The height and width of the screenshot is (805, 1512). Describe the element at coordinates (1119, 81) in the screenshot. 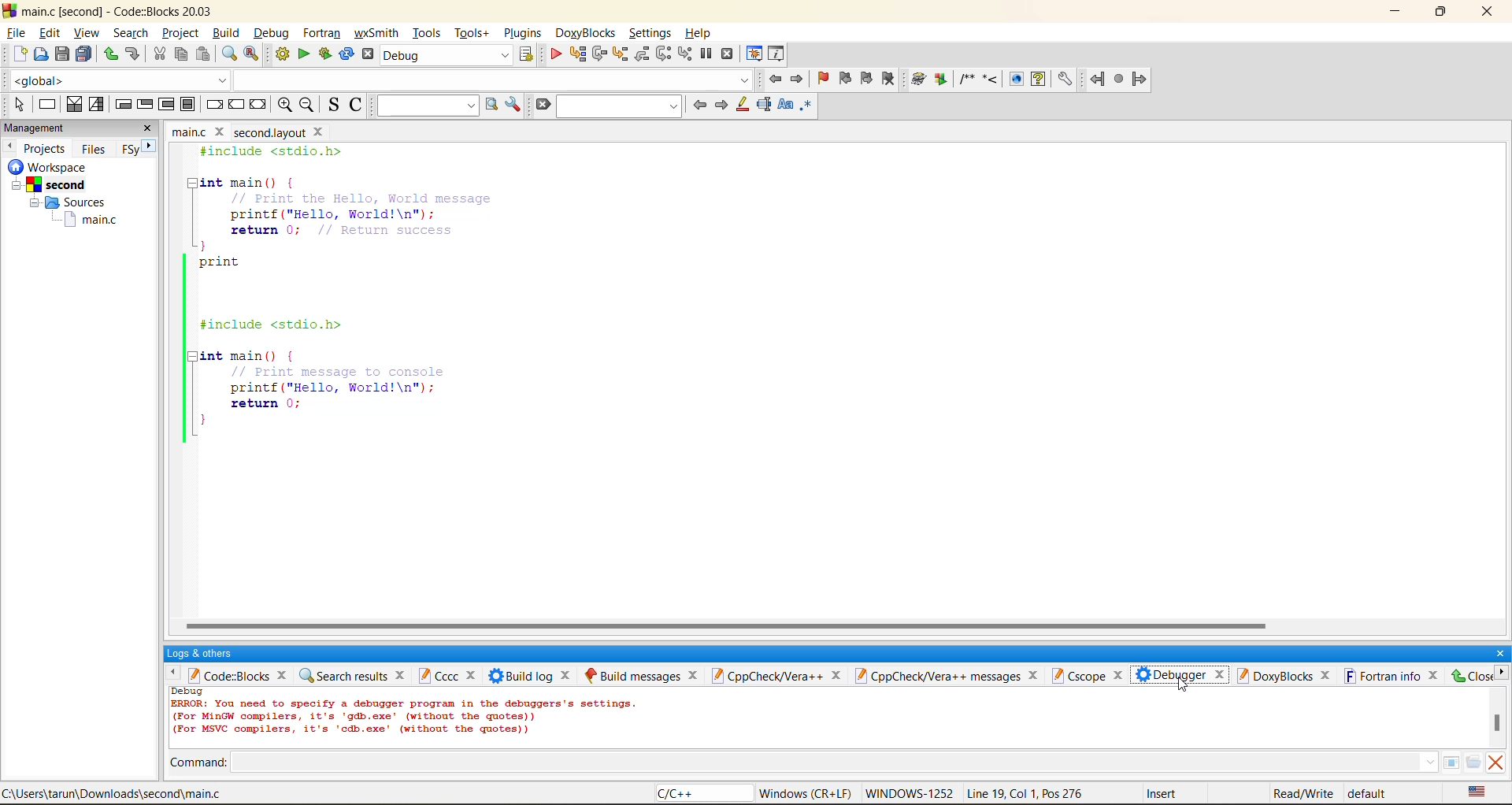

I see `fortran` at that location.